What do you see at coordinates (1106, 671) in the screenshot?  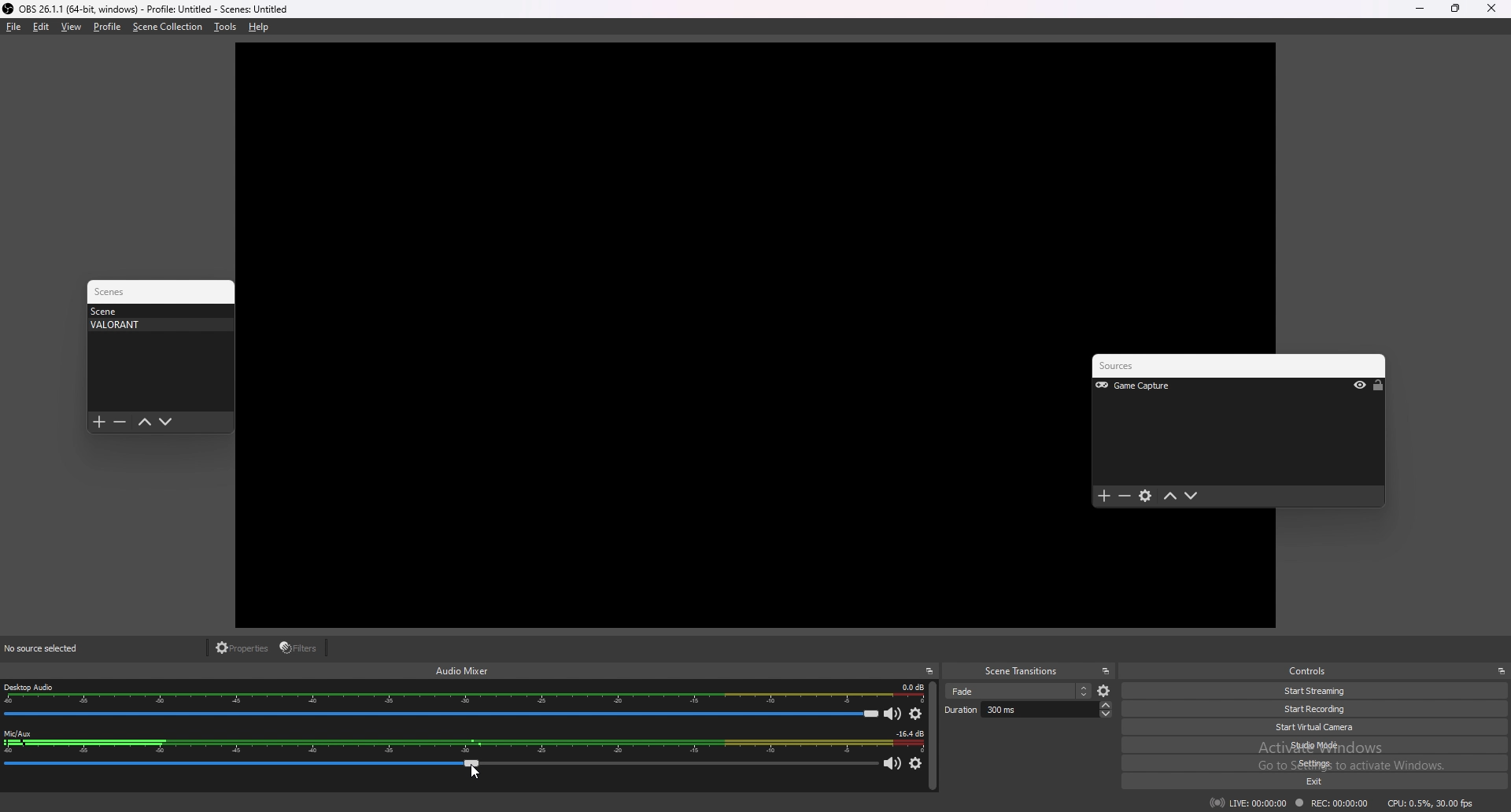 I see `pop out` at bounding box center [1106, 671].